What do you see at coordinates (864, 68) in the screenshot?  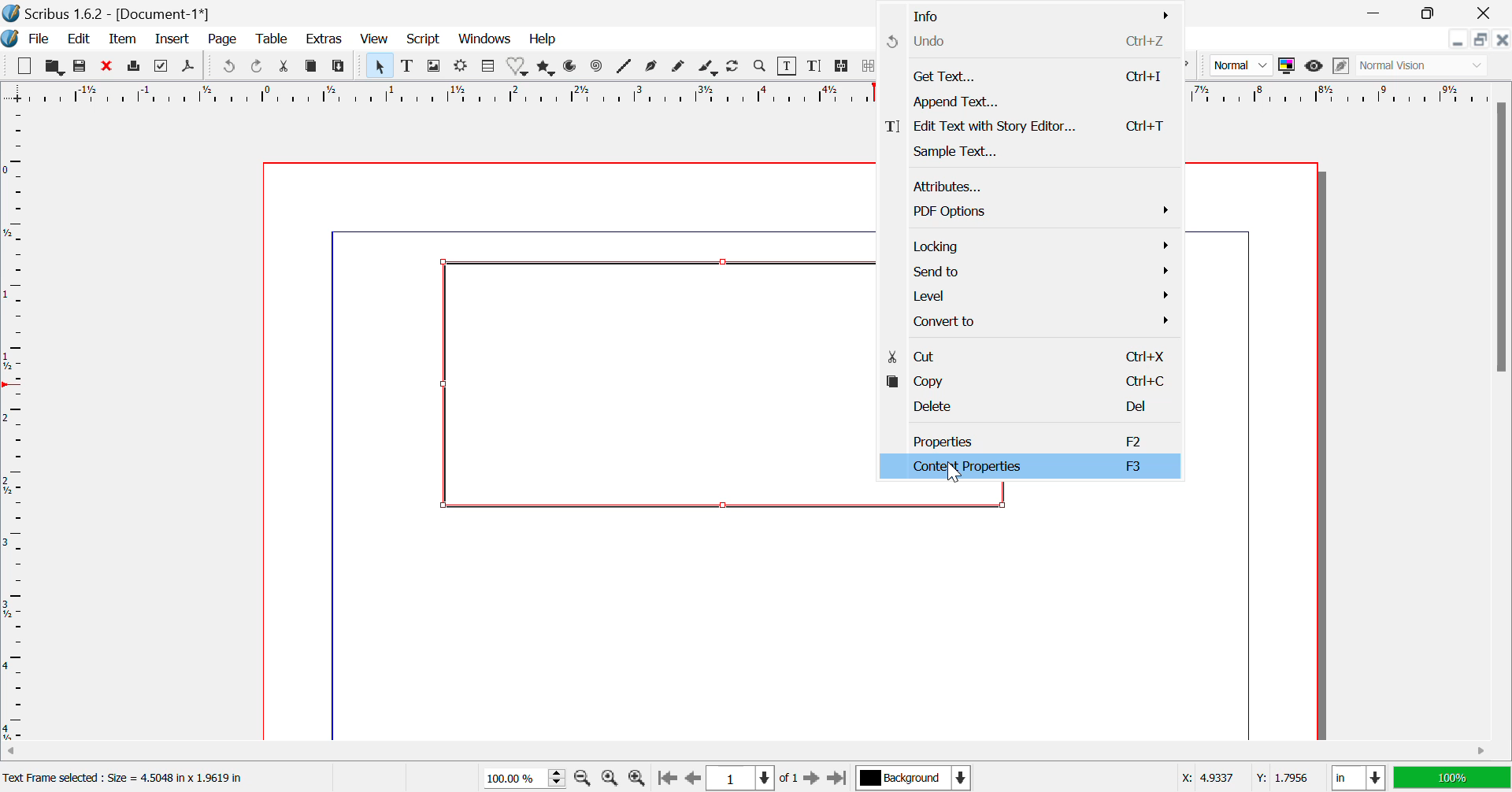 I see `Delink Text Frame` at bounding box center [864, 68].